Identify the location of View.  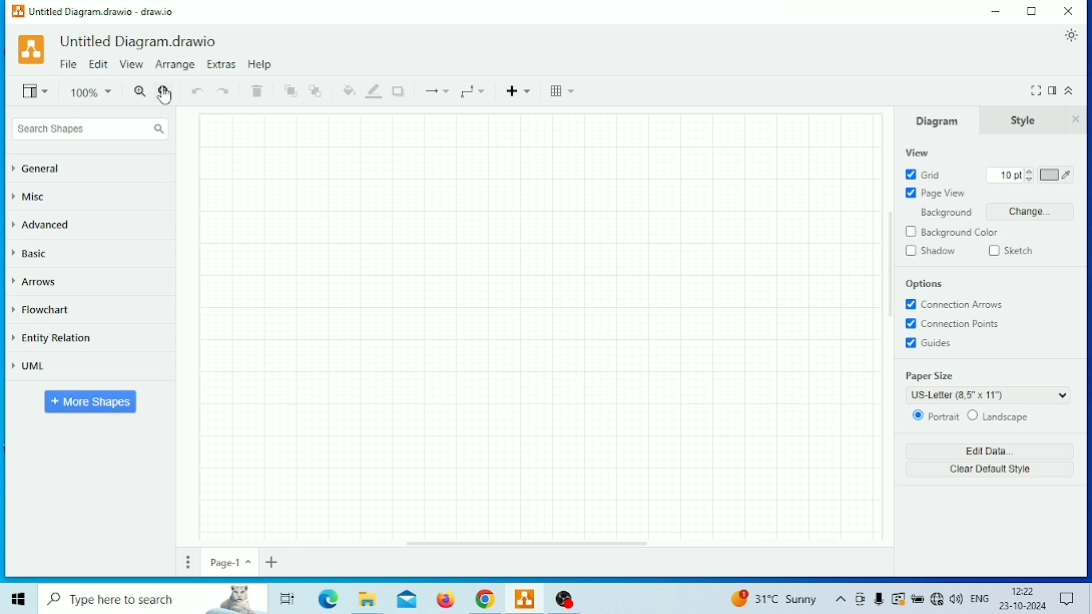
(131, 65).